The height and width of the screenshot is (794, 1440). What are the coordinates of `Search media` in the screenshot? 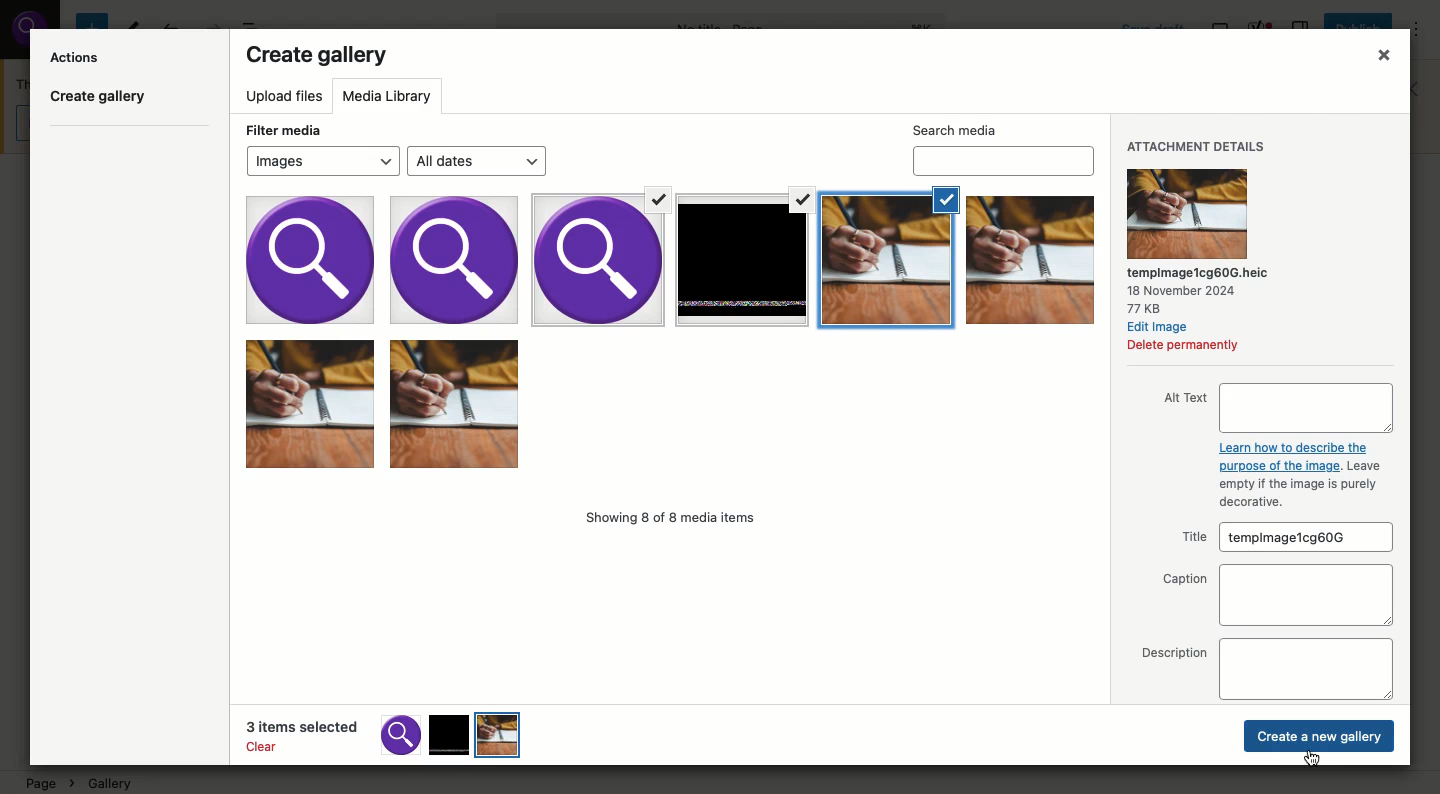 It's located at (1004, 147).